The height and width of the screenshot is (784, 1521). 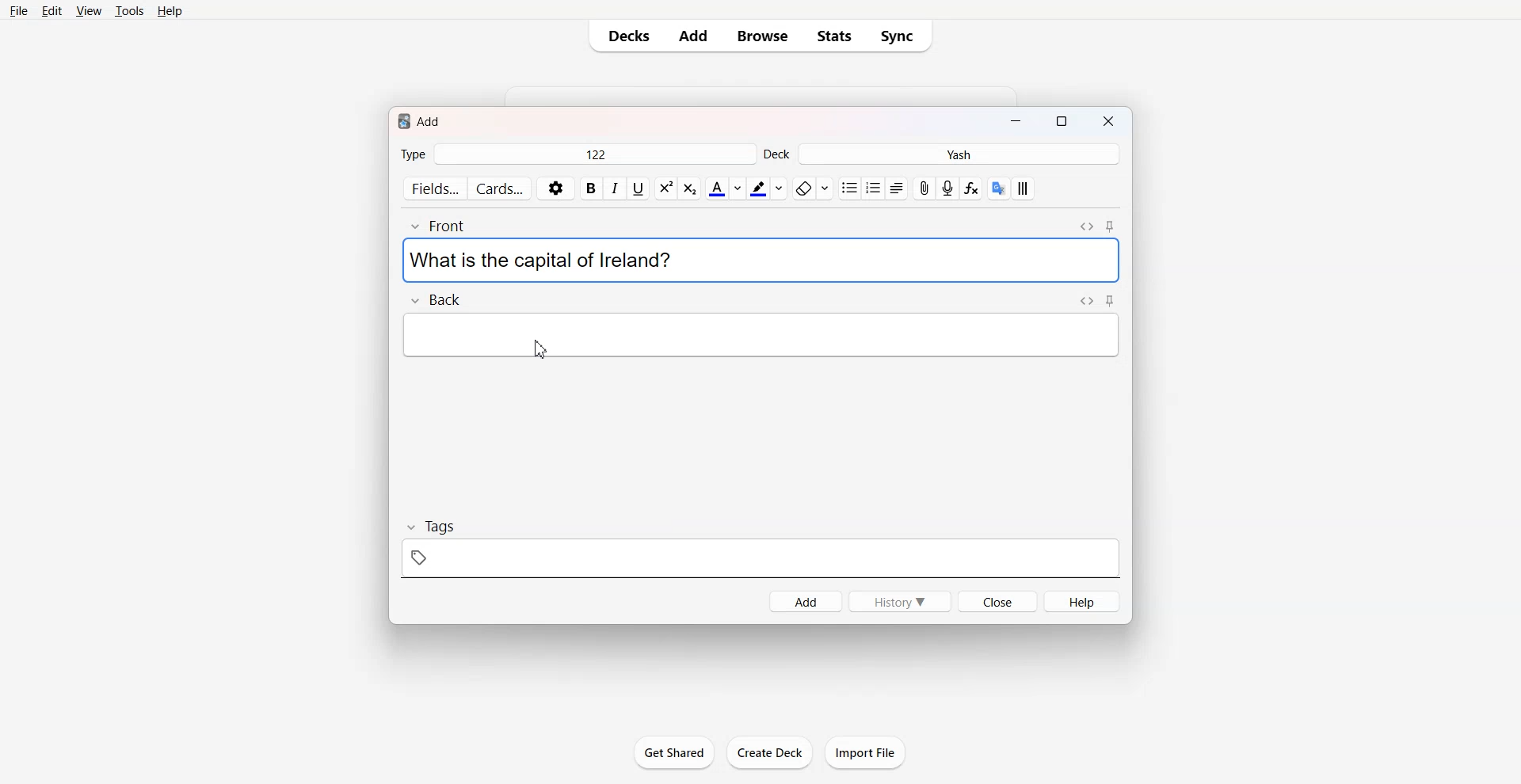 I want to click on Text 1, so click(x=421, y=120).